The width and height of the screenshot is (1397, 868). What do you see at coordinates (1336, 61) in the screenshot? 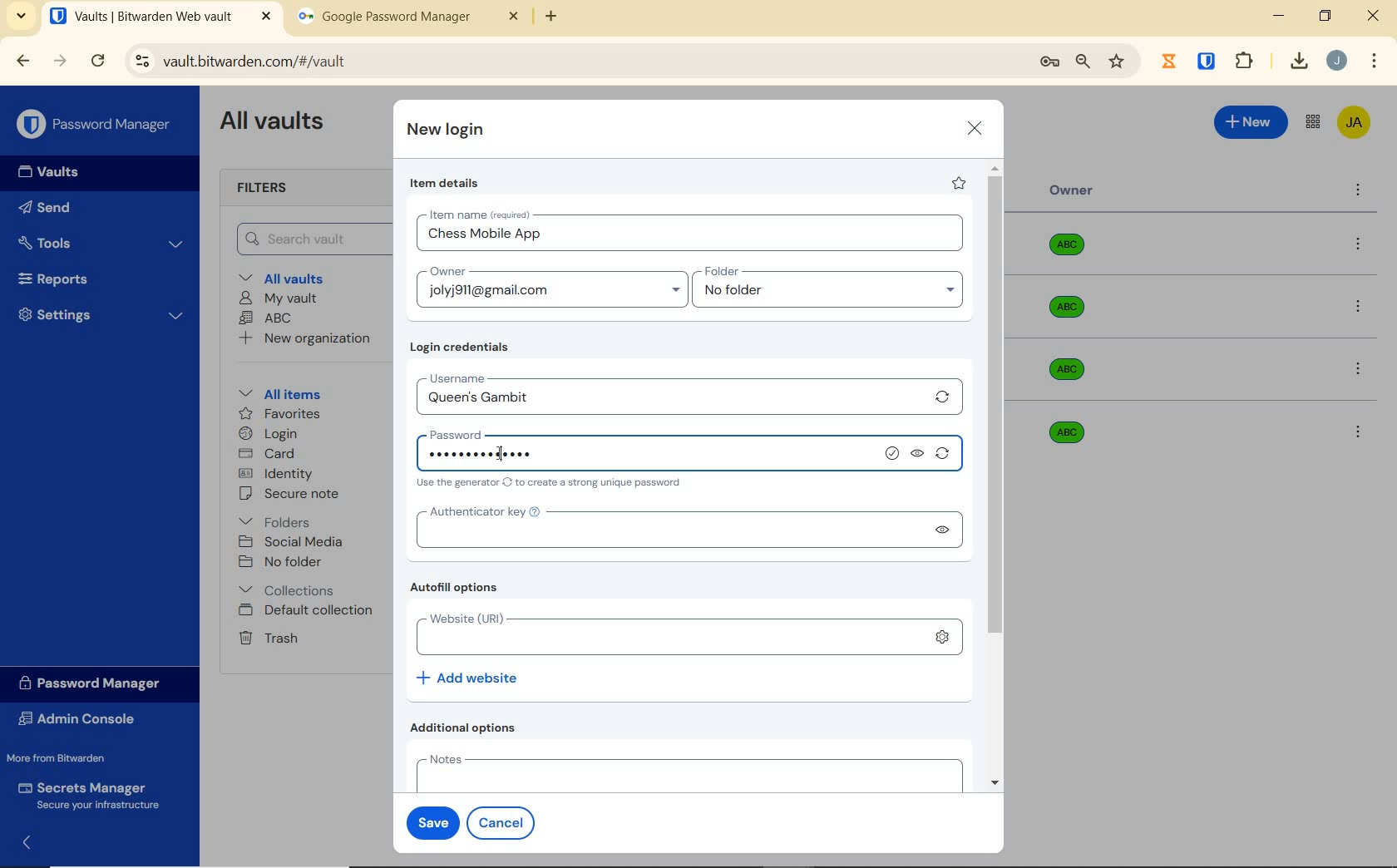
I see `Account` at bounding box center [1336, 61].